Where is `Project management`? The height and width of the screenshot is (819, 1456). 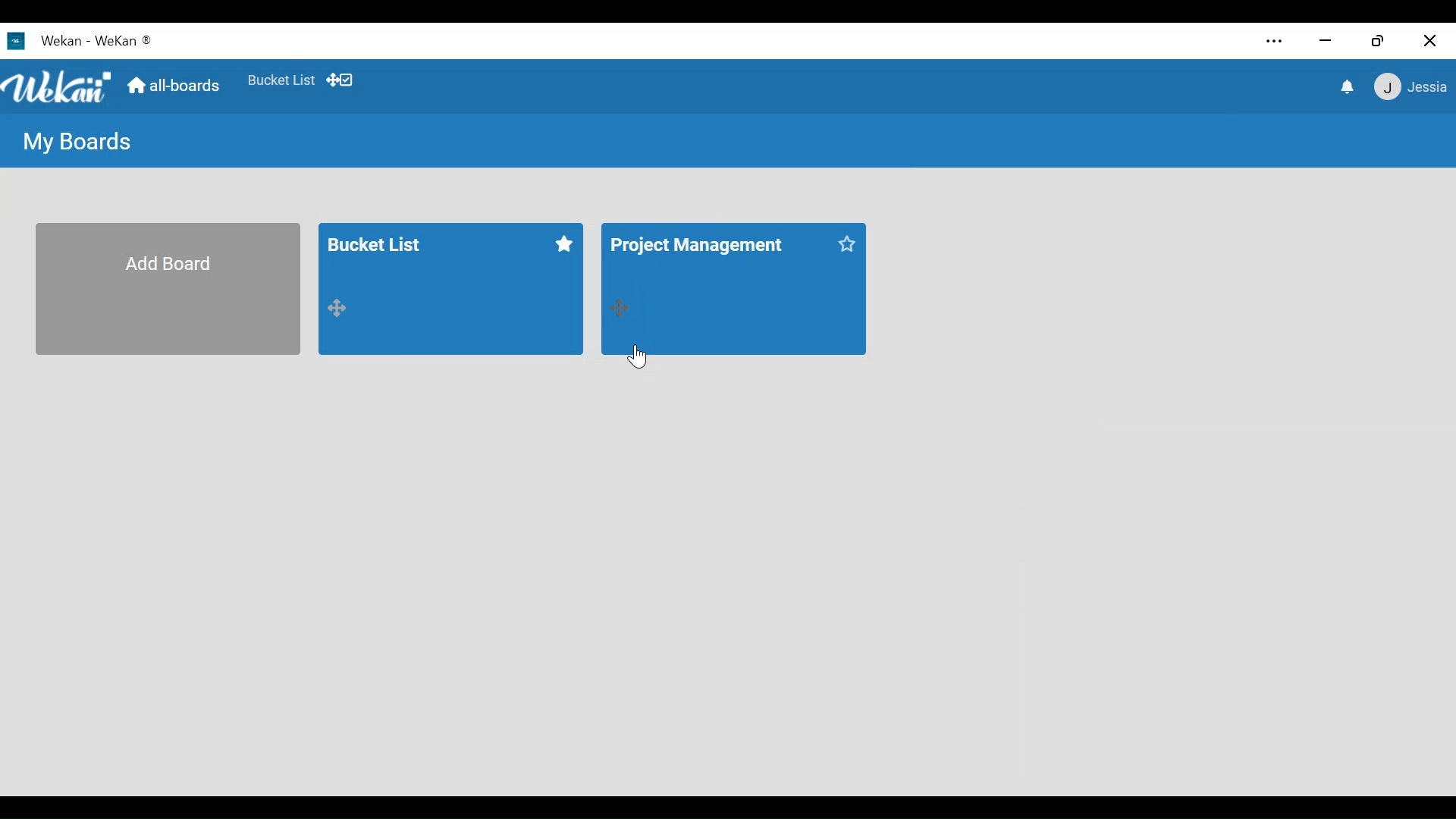
Project management is located at coordinates (734, 288).